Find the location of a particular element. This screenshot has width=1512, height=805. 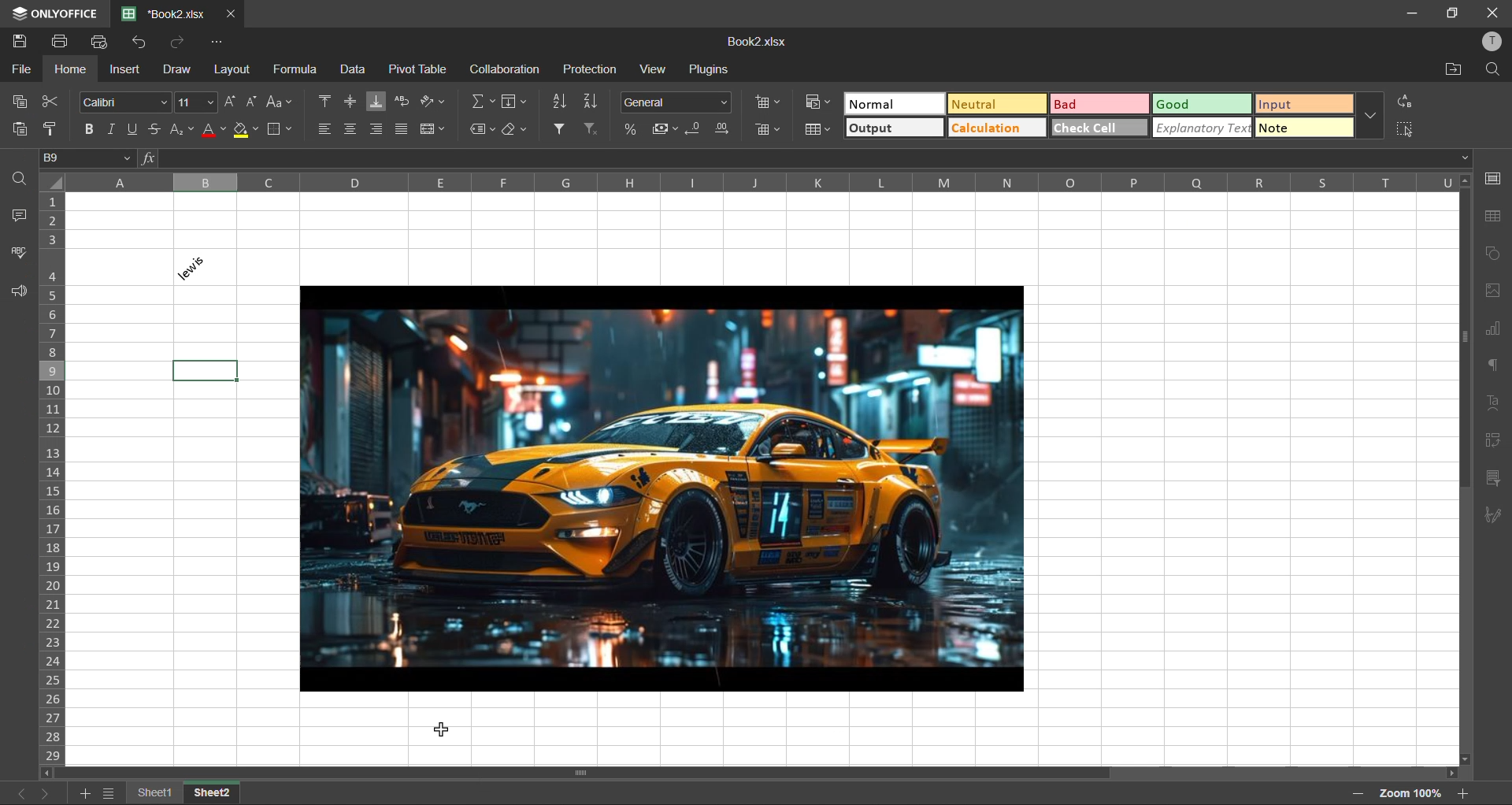

zoom out is located at coordinates (1357, 793).